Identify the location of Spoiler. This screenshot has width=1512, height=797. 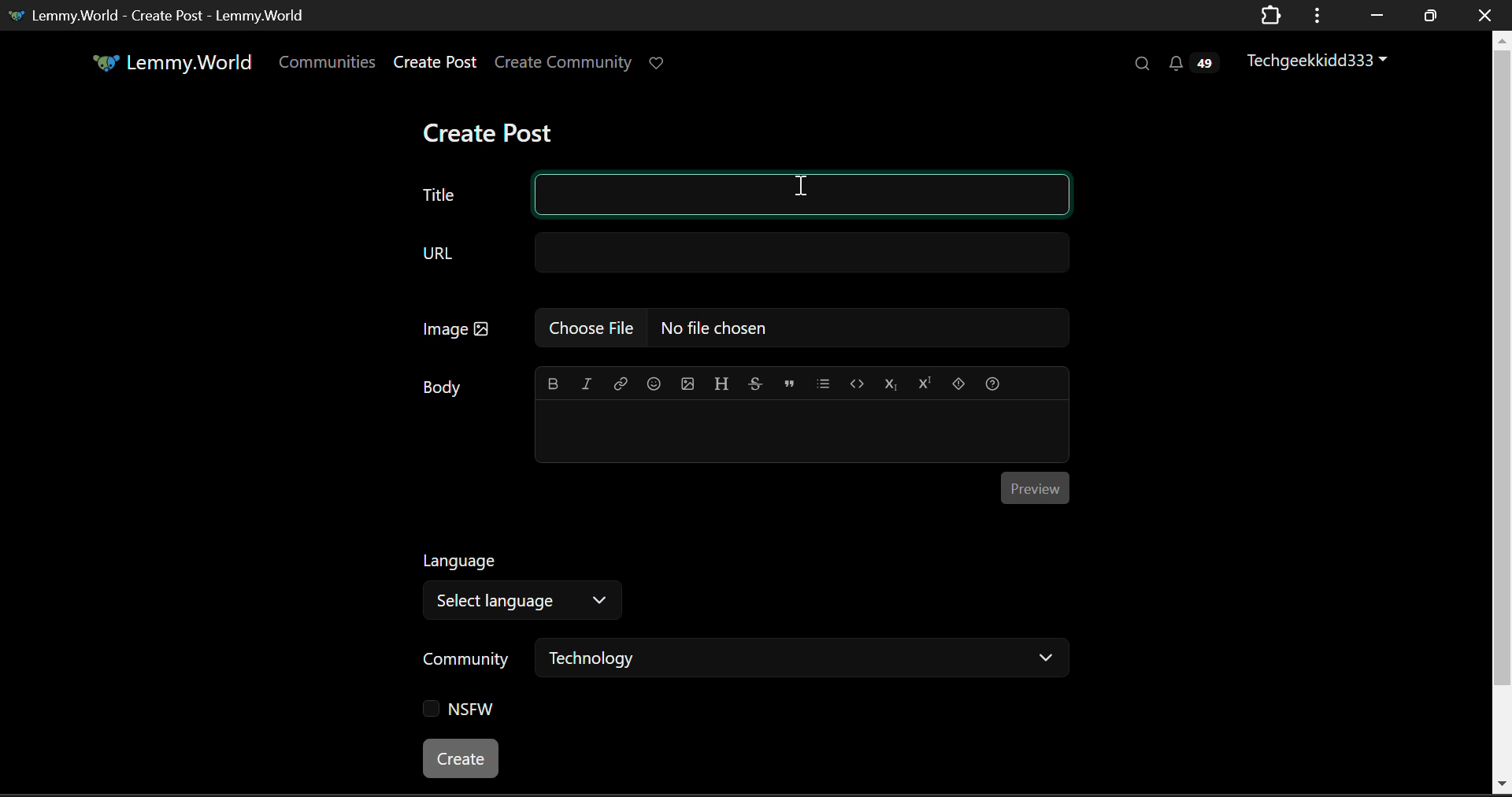
(958, 385).